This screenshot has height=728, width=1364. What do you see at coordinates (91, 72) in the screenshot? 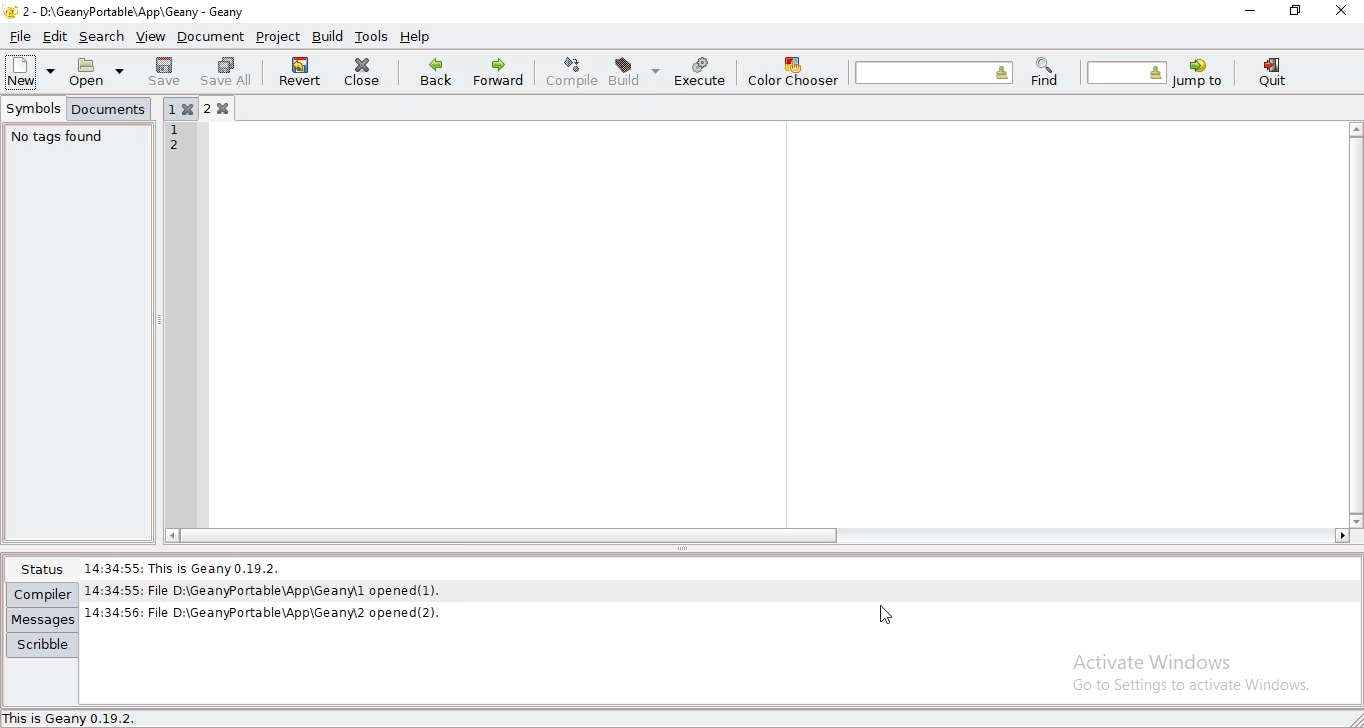
I see `open` at bounding box center [91, 72].